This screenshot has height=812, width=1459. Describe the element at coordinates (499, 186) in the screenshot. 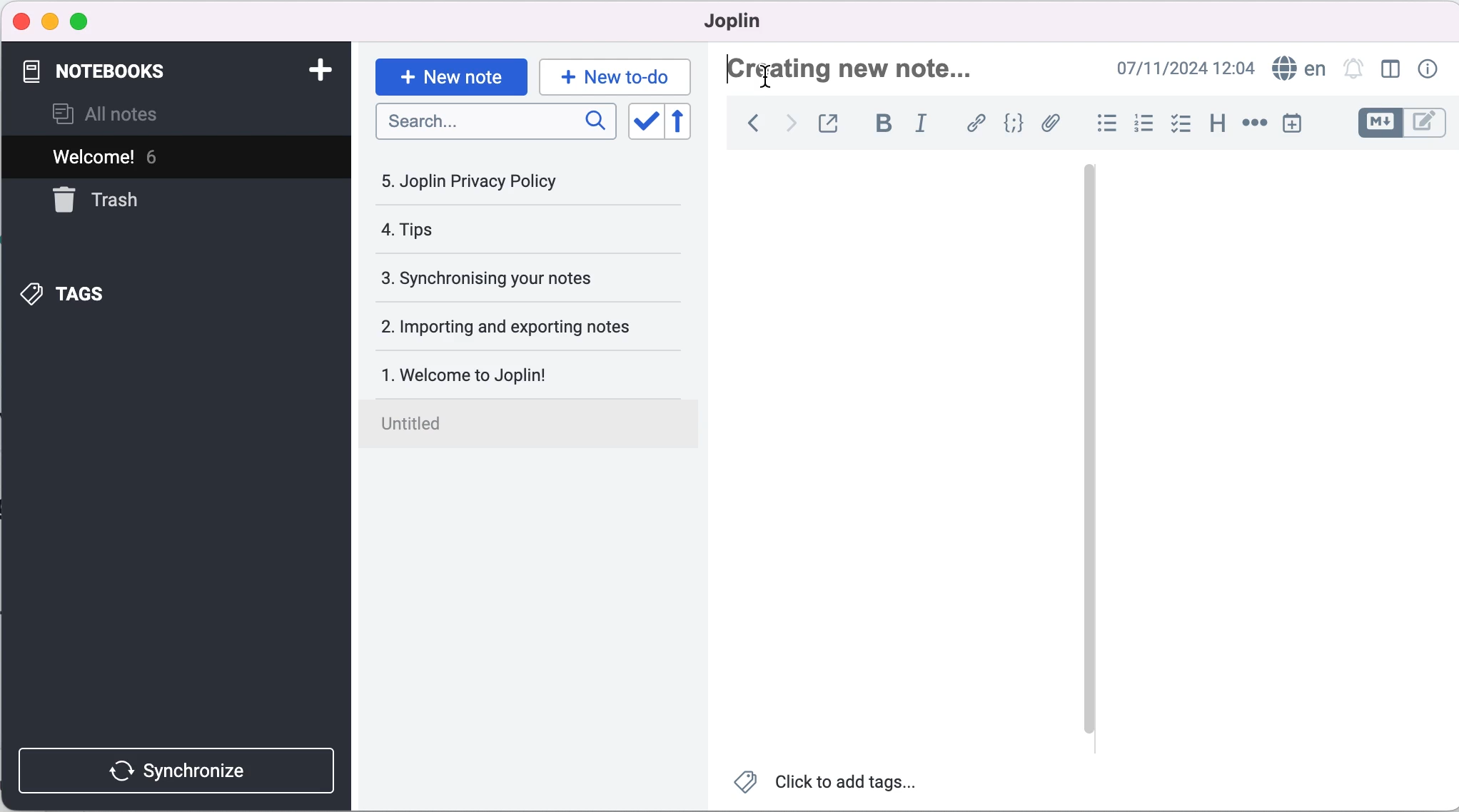

I see `joplin privacy policy` at that location.